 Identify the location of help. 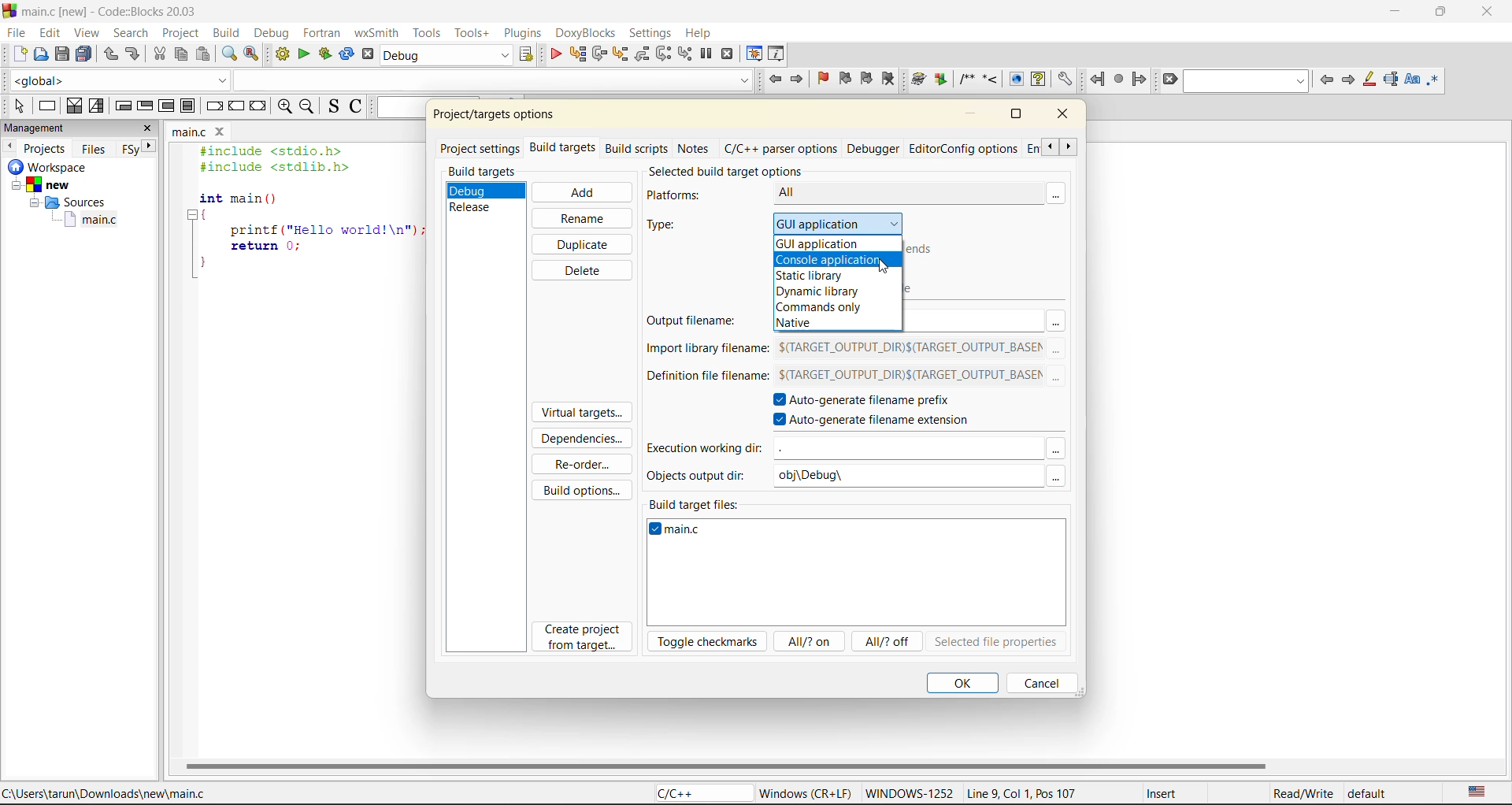
(703, 31).